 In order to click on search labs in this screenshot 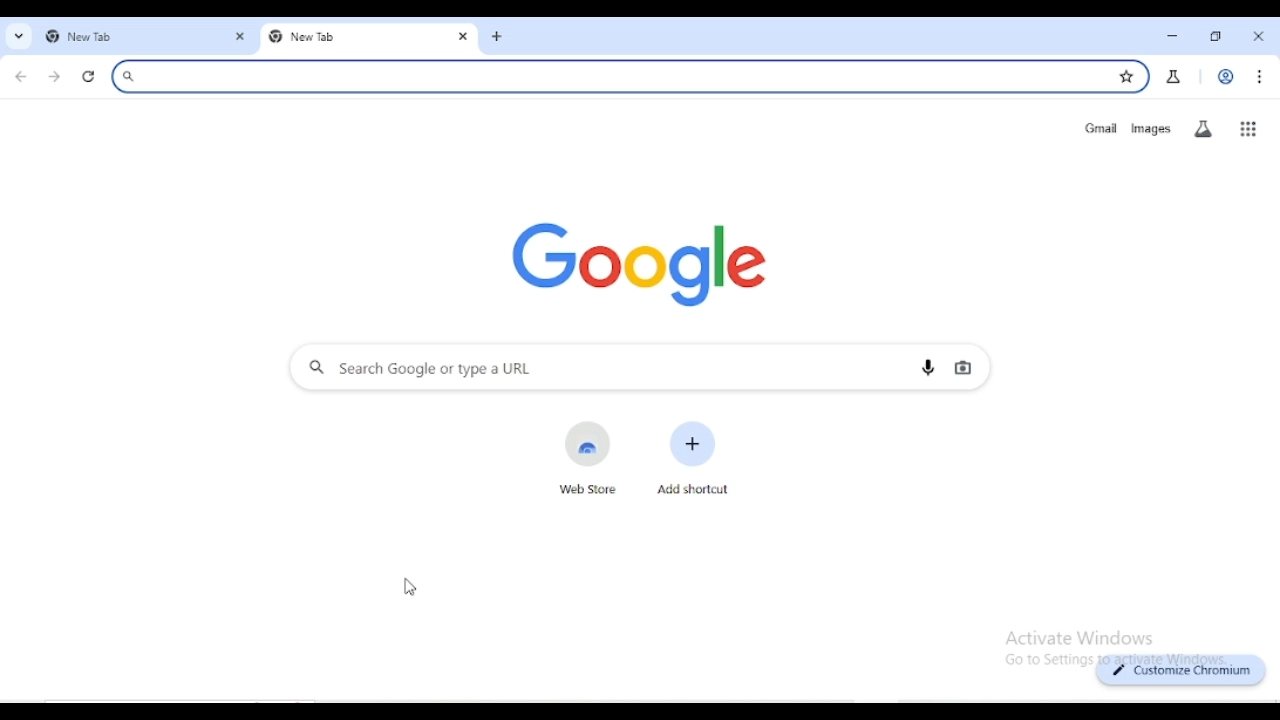, I will do `click(1203, 129)`.